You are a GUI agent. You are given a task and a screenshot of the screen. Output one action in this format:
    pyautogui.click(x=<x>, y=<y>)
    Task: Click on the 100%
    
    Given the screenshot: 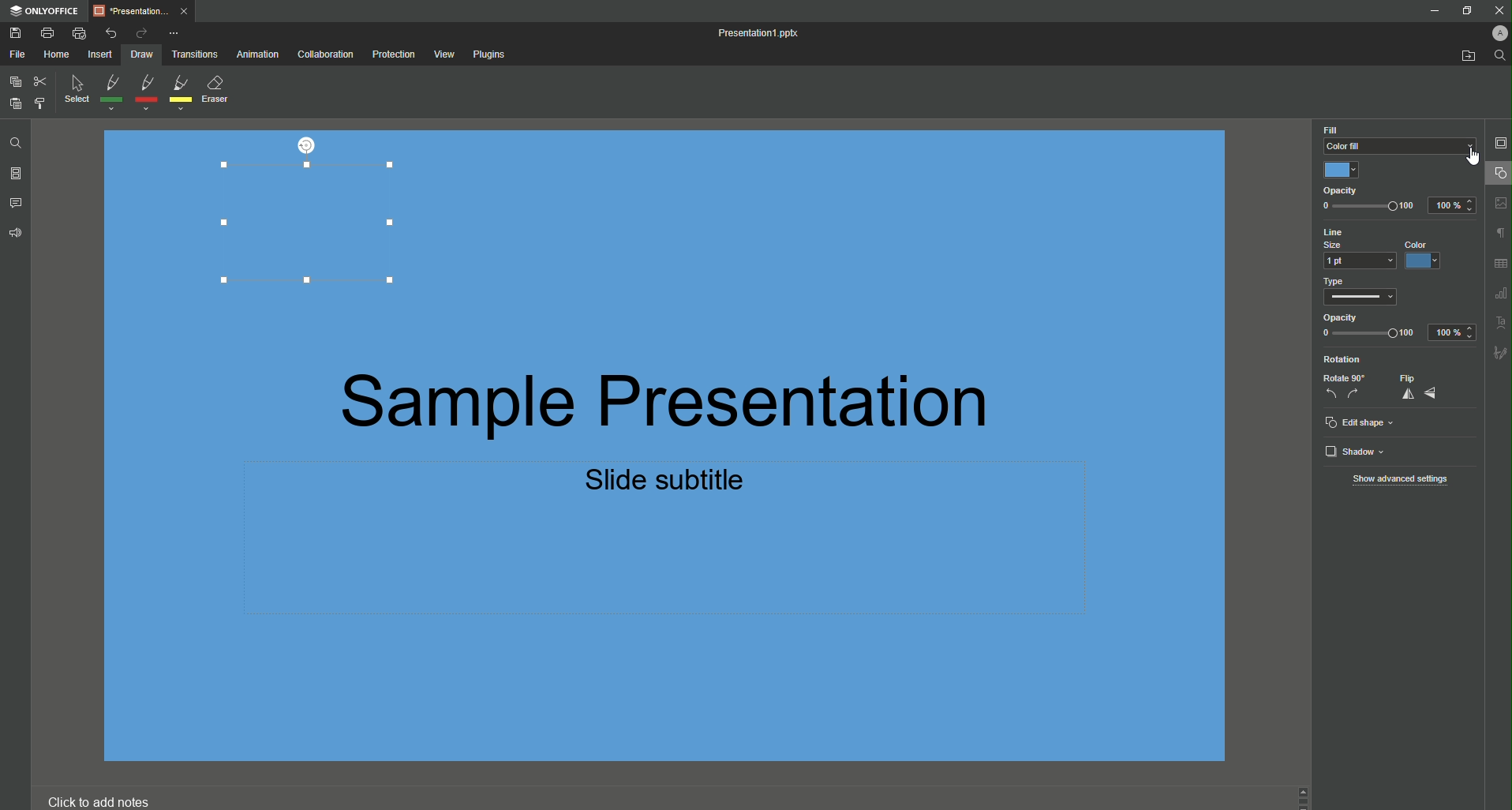 What is the action you would take?
    pyautogui.click(x=1454, y=332)
    